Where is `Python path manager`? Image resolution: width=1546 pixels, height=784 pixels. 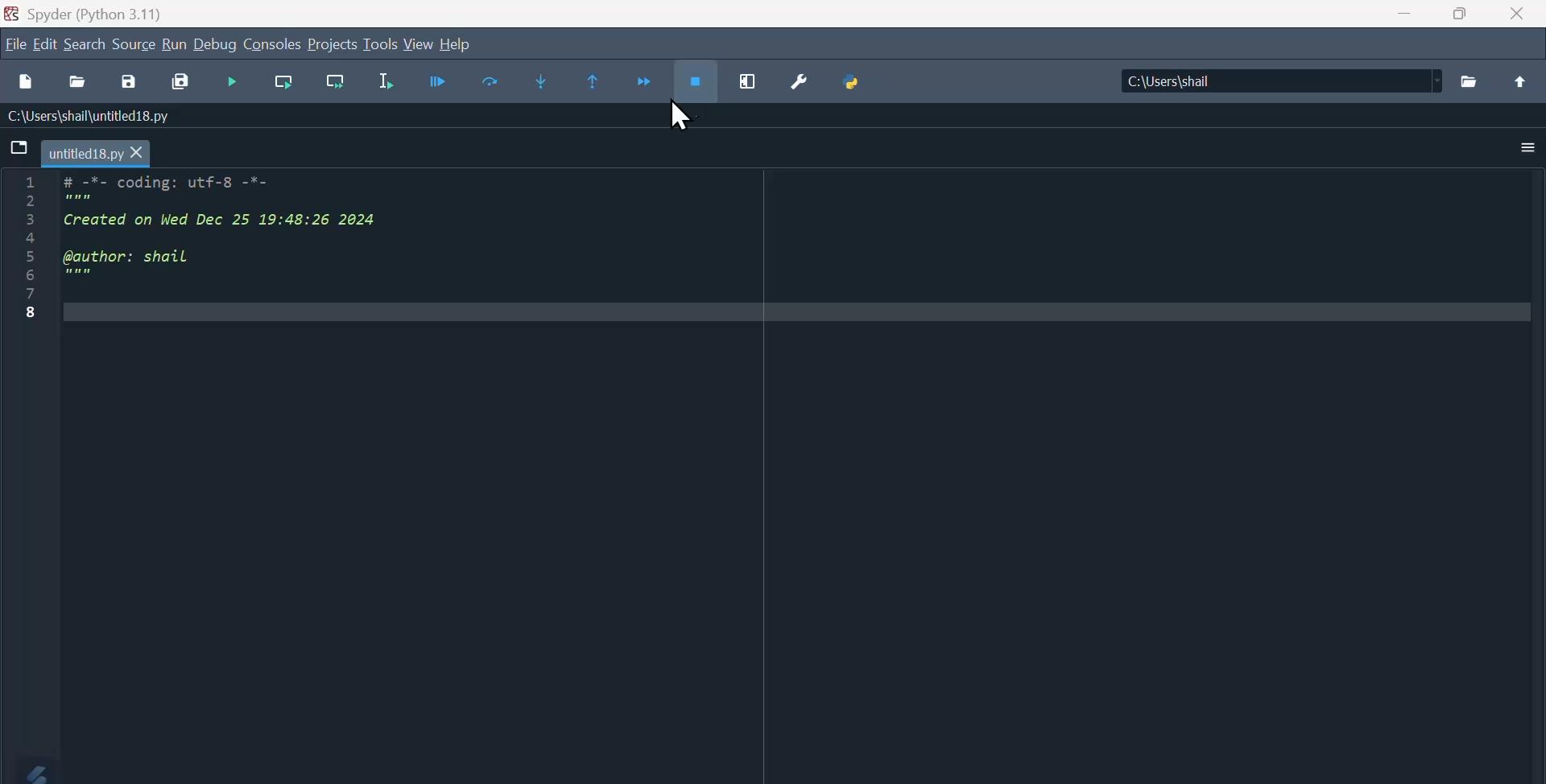
Python path manager is located at coordinates (864, 83).